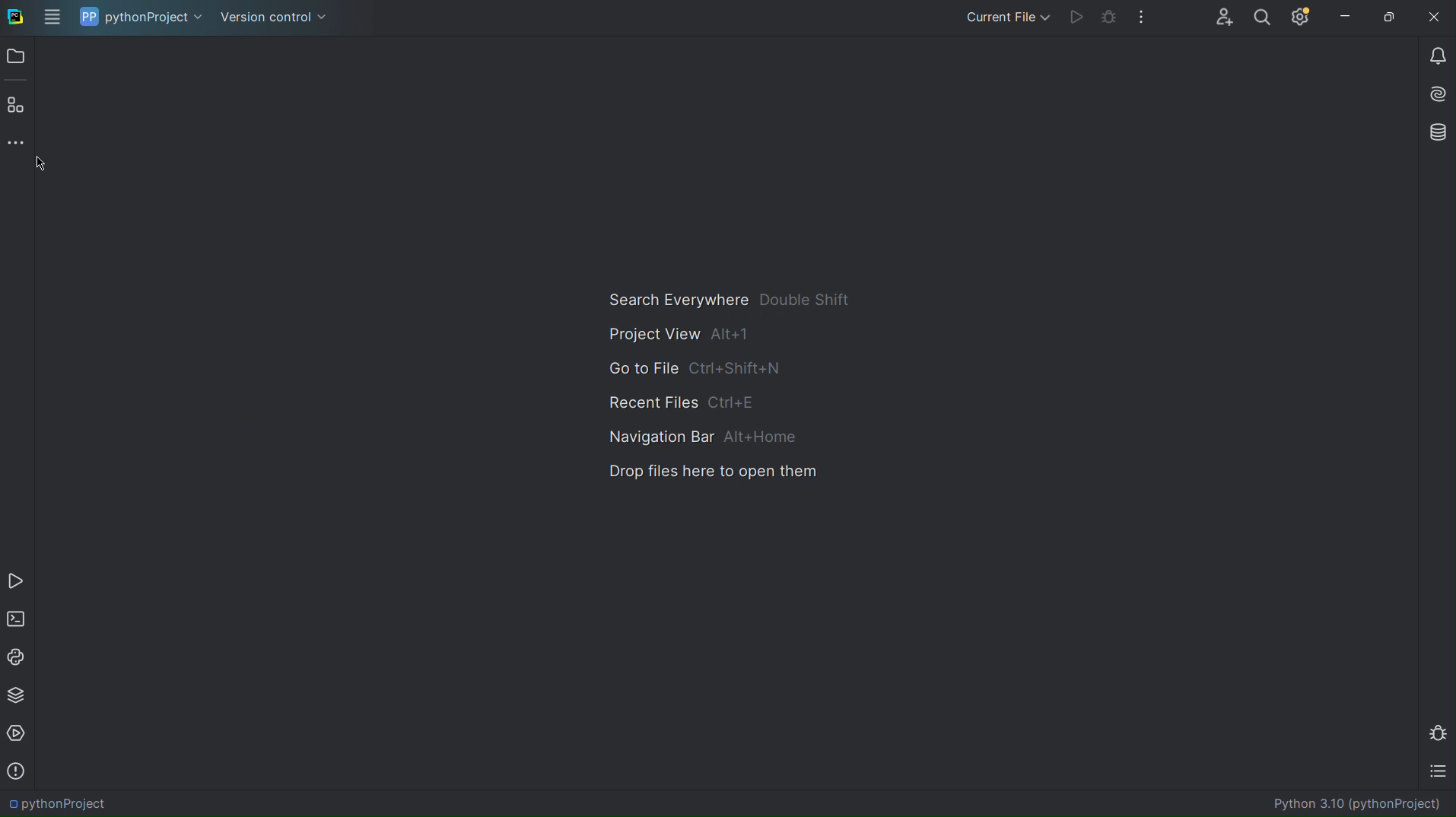 The height and width of the screenshot is (817, 1456). I want to click on Application Menu, so click(52, 16).